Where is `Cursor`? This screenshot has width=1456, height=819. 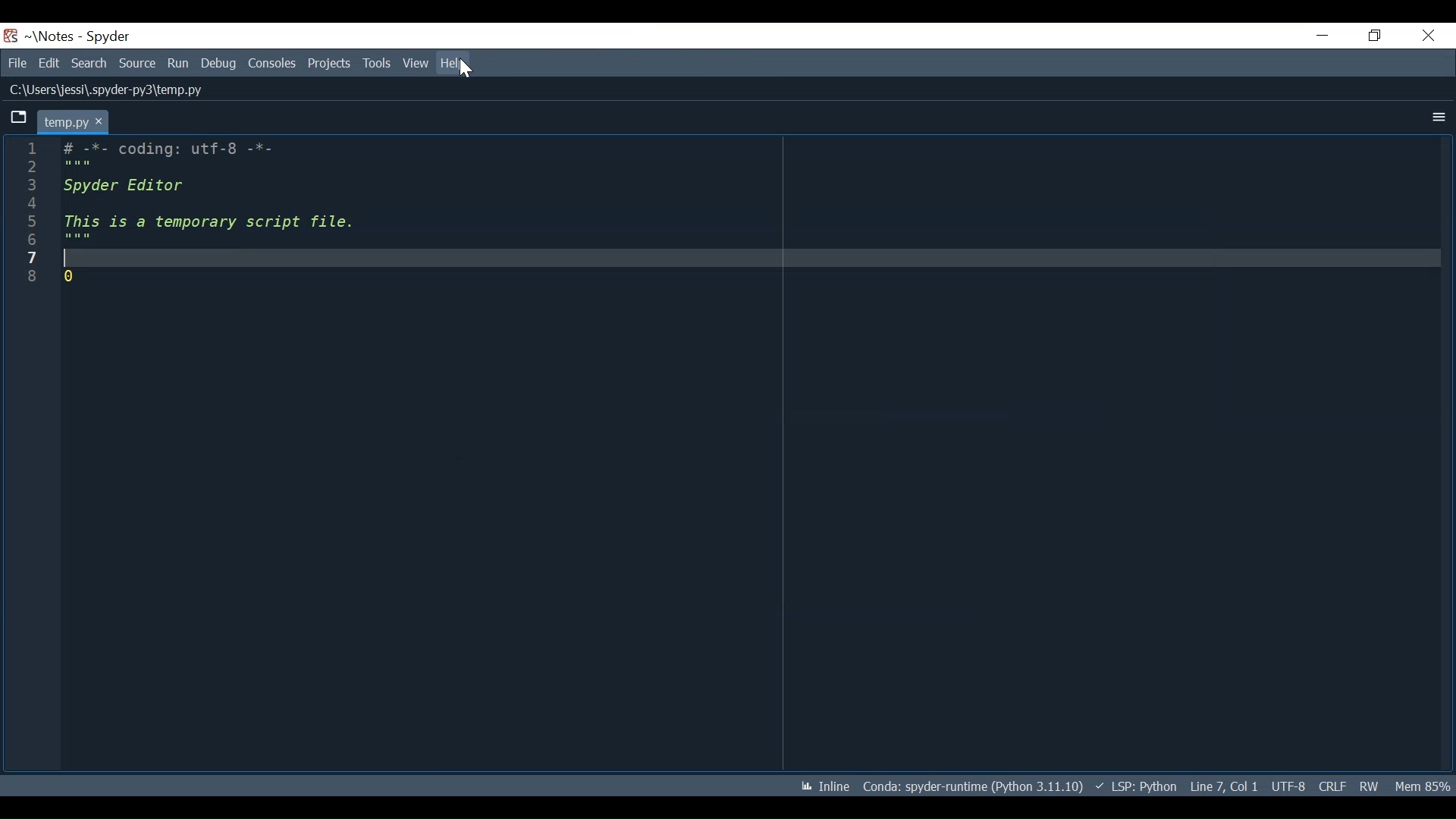 Cursor is located at coordinates (466, 69).